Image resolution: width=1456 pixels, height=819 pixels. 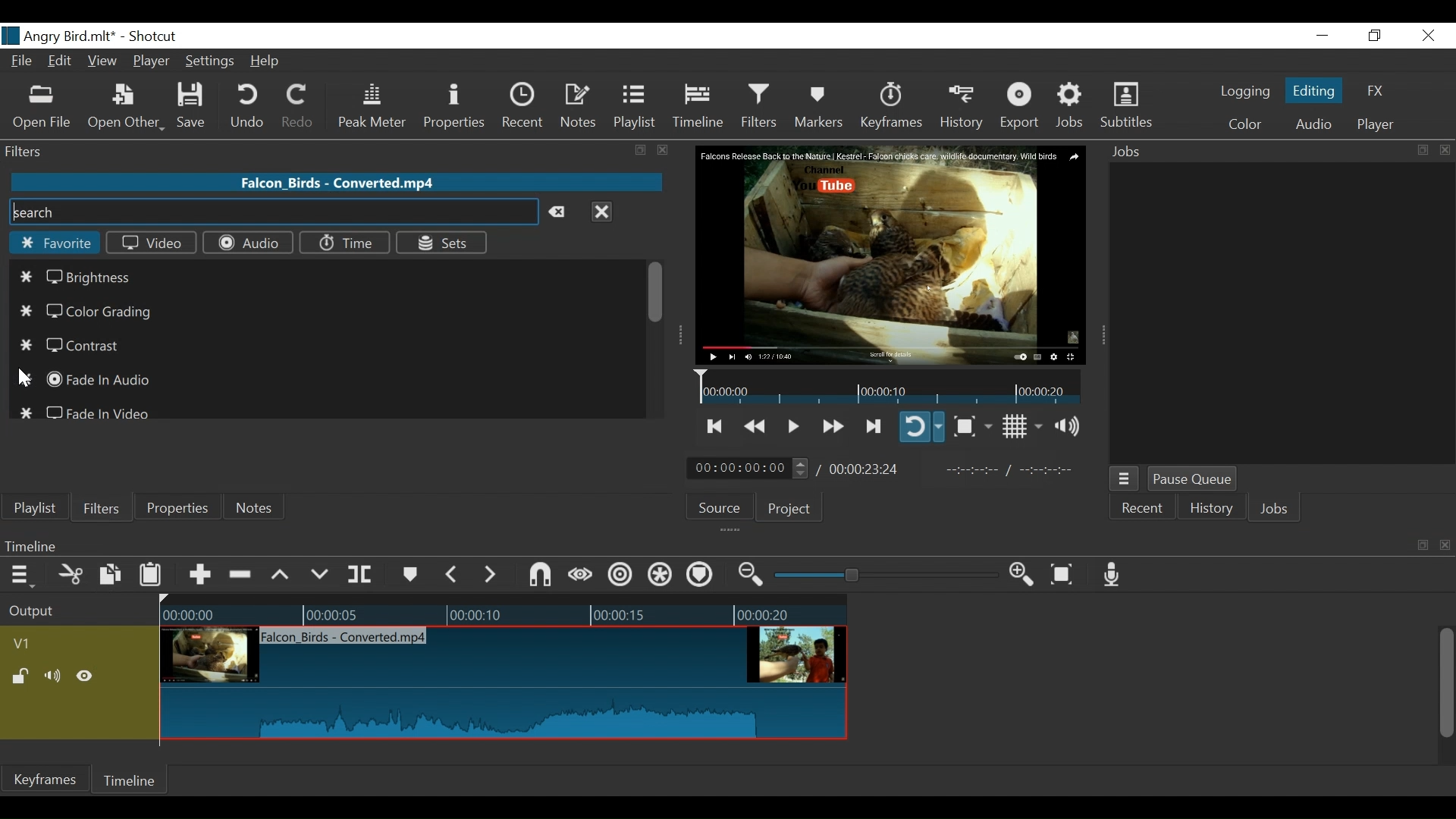 What do you see at coordinates (339, 181) in the screenshot?
I see `File Name` at bounding box center [339, 181].